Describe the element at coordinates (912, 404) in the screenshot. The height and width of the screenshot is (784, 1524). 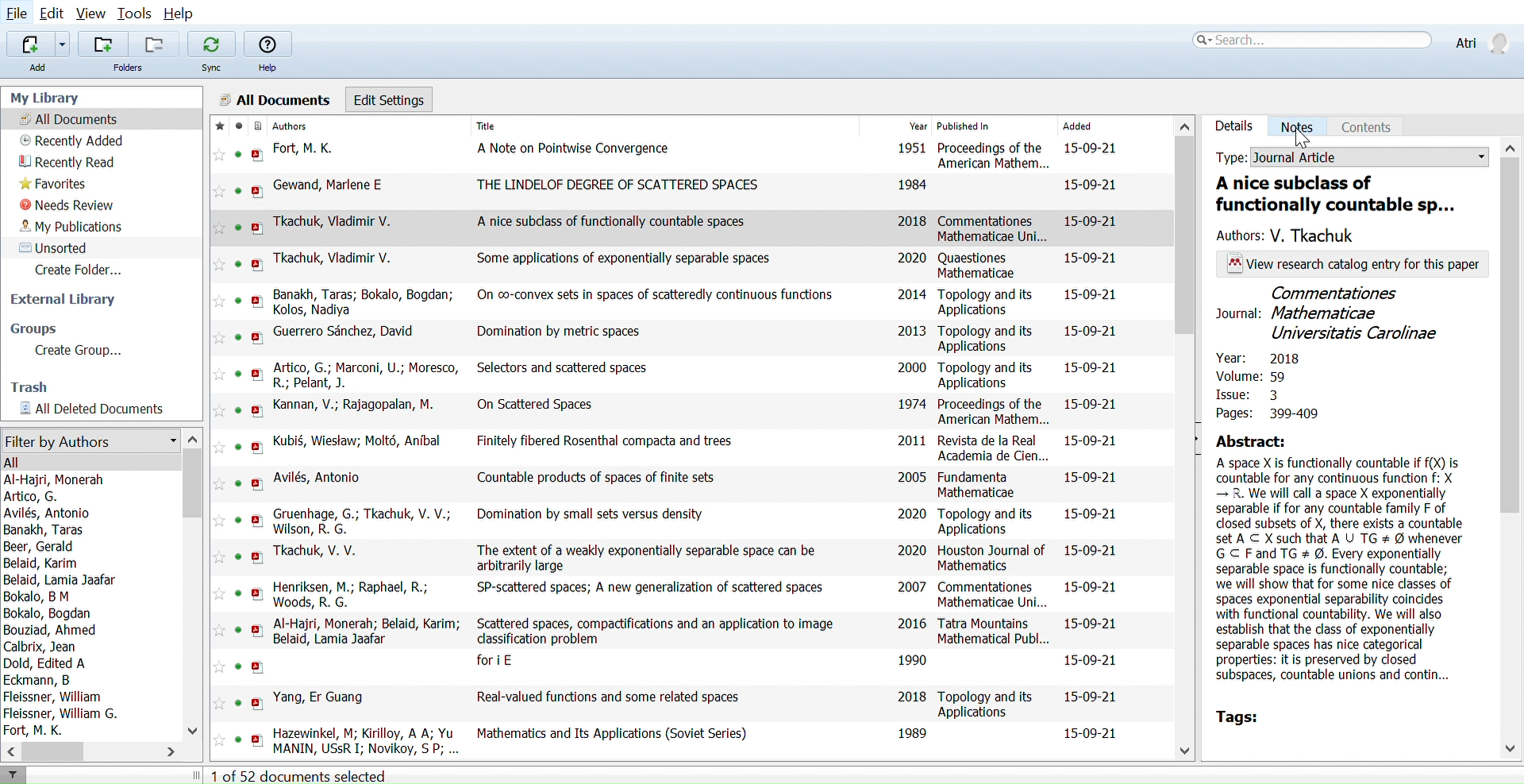
I see `1974` at that location.